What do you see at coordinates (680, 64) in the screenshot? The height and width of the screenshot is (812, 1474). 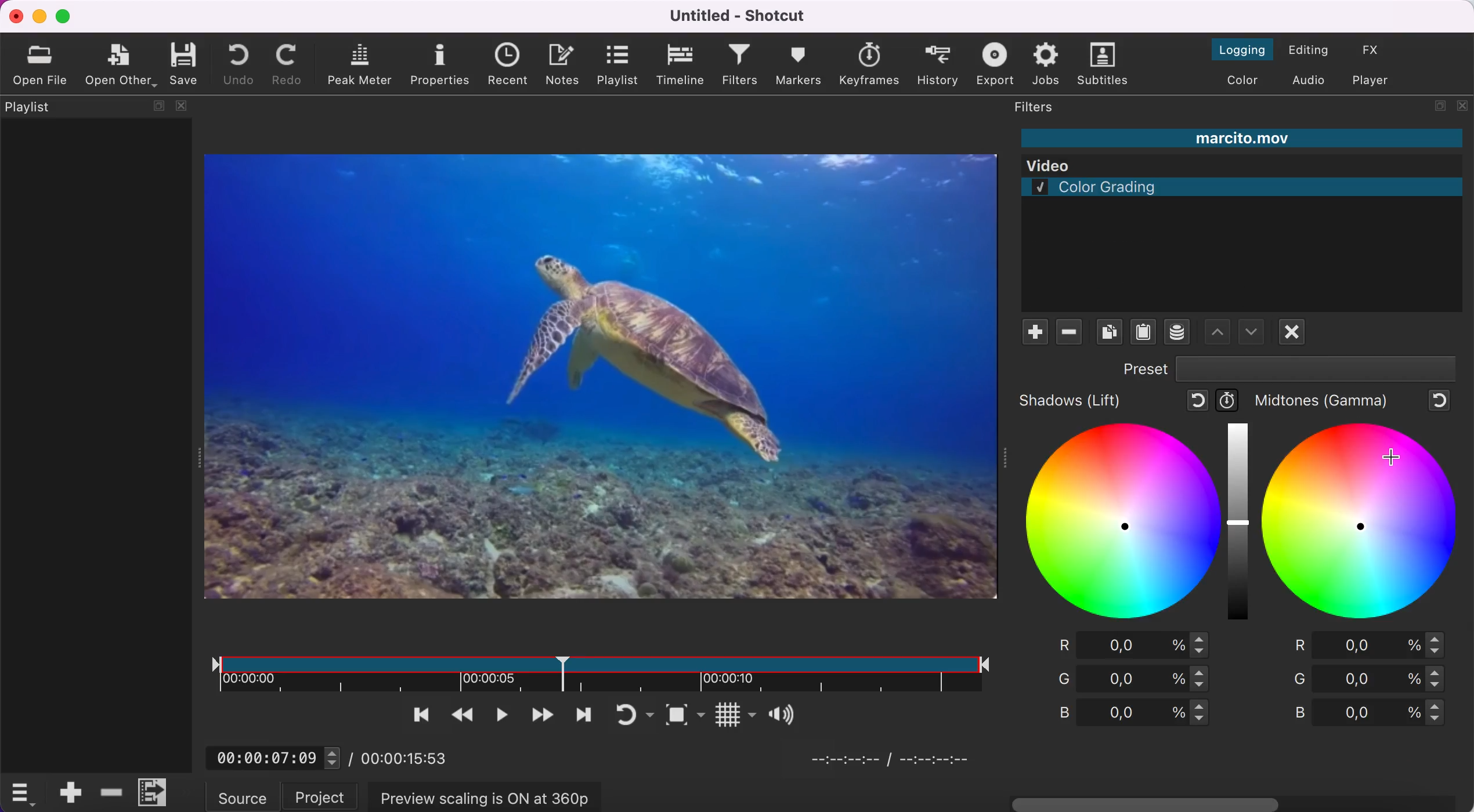 I see `timeline` at bounding box center [680, 64].